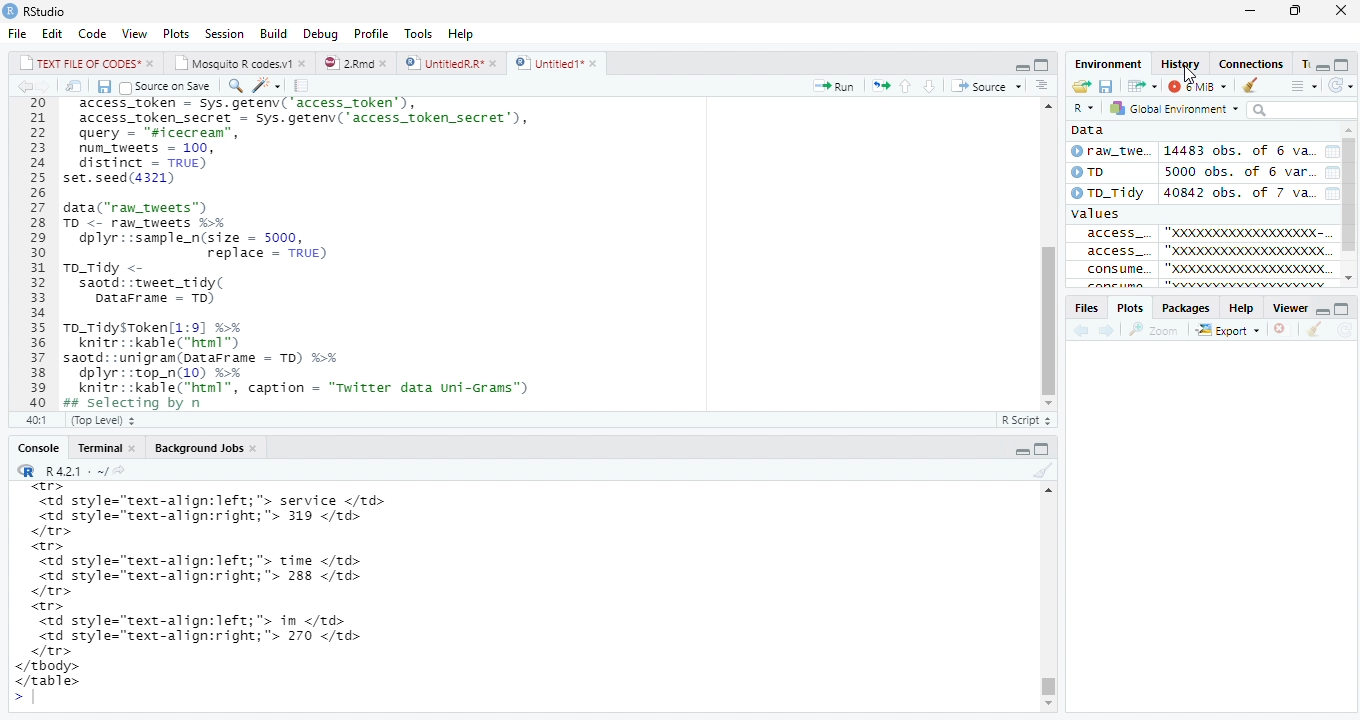 The width and height of the screenshot is (1360, 720). I want to click on Run, so click(833, 85).